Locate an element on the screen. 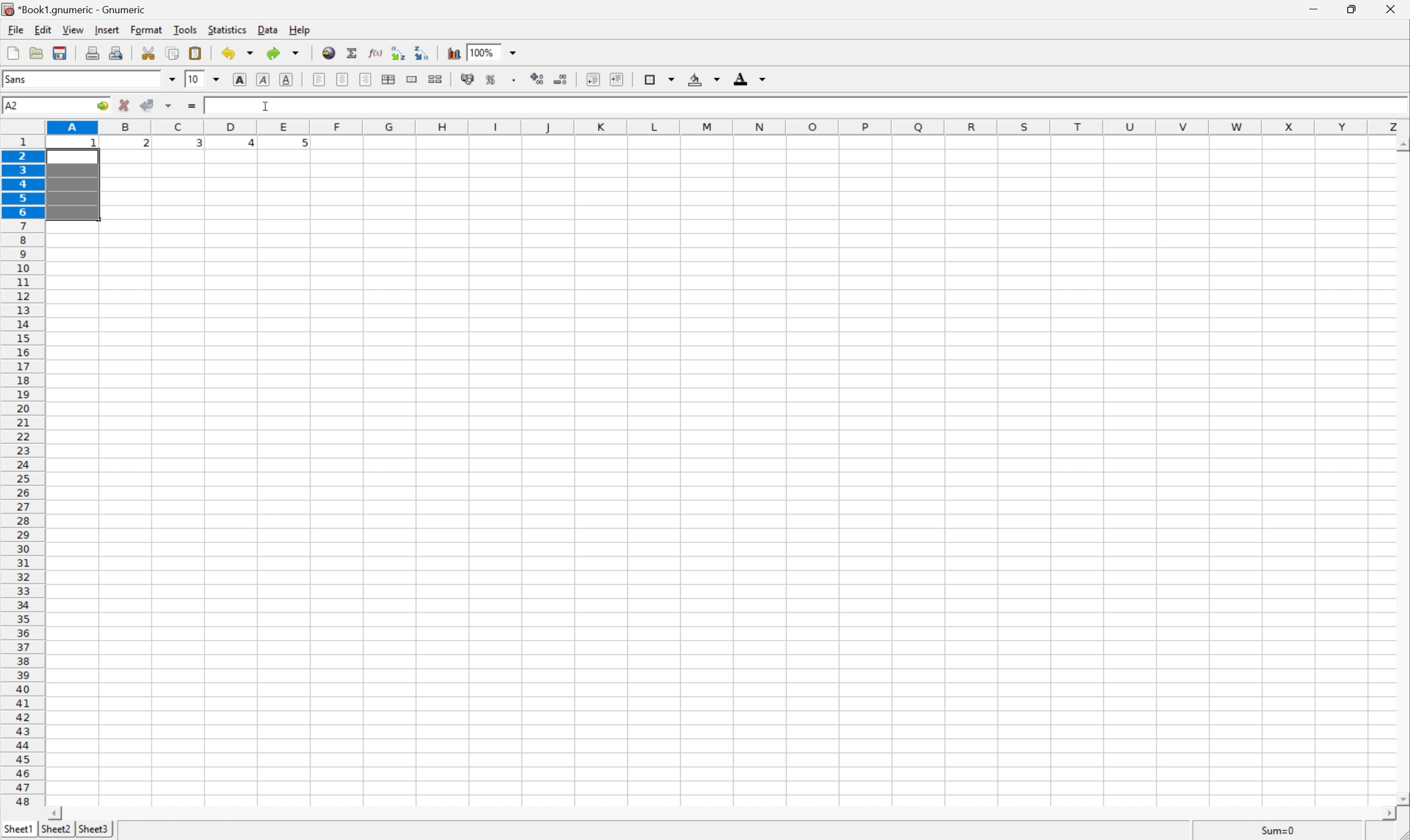 The height and width of the screenshot is (840, 1410). bold is located at coordinates (242, 79).